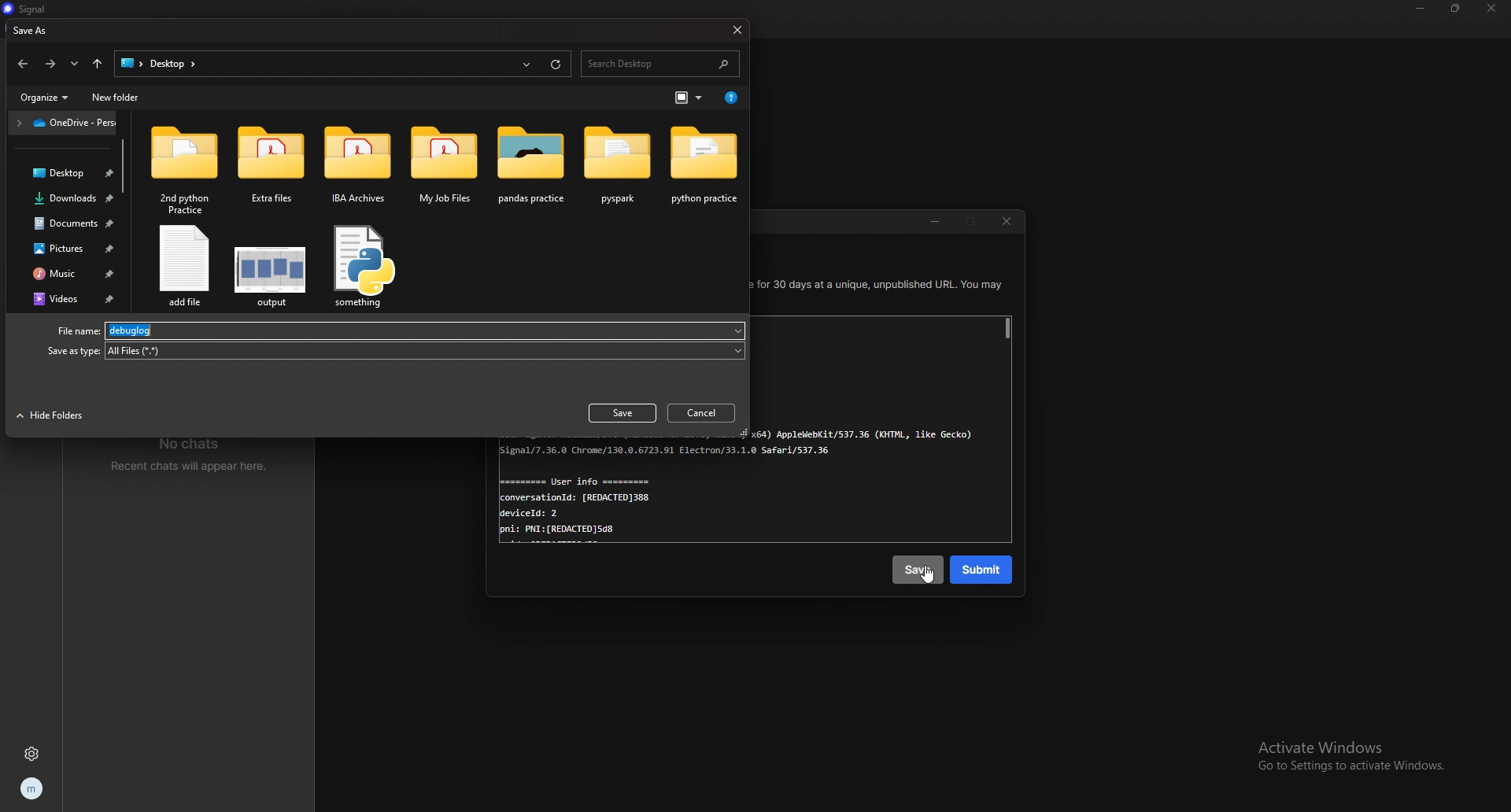  I want to click on close, so click(736, 30).